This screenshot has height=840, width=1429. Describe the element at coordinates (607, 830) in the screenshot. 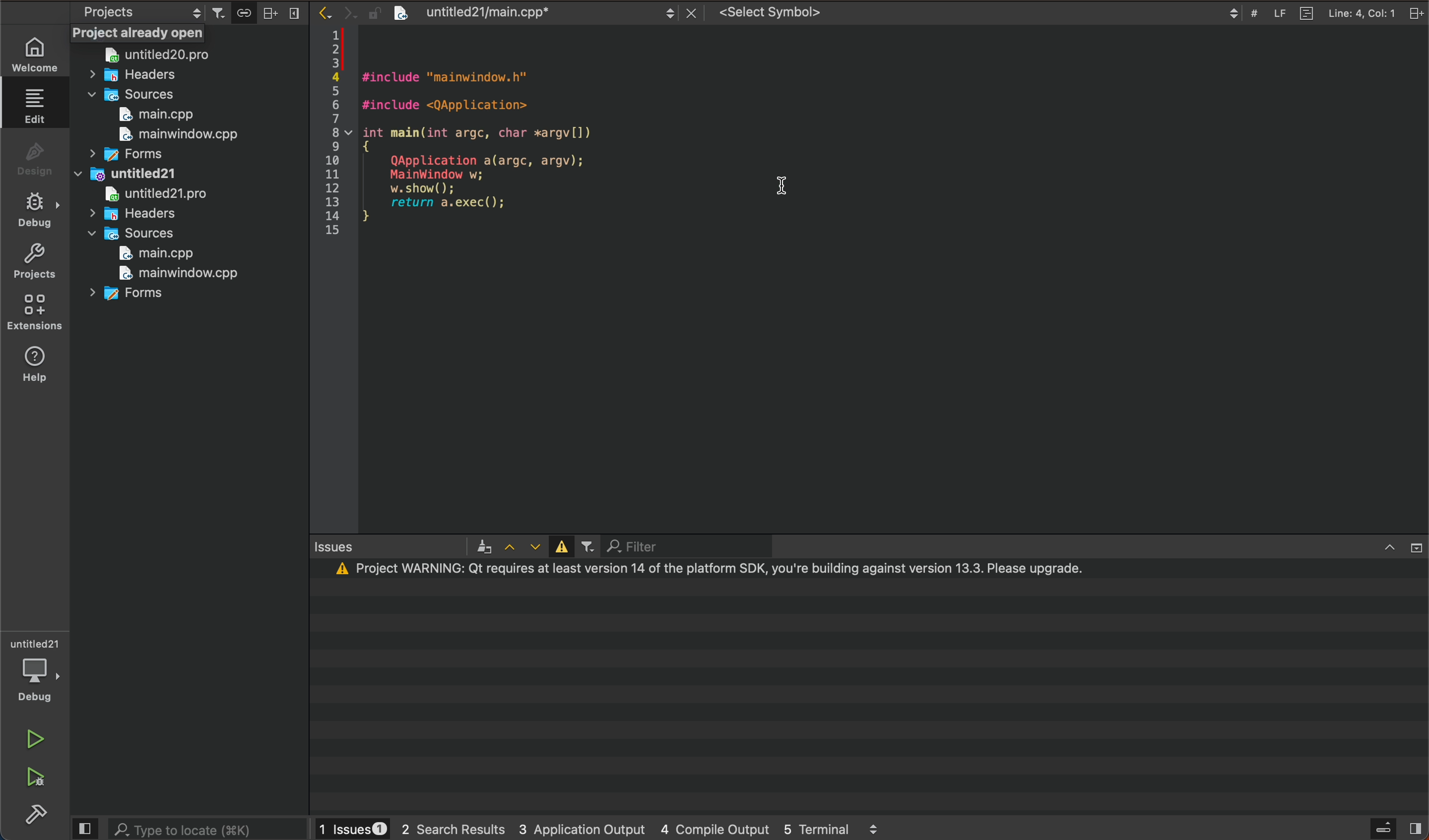

I see `logs` at that location.